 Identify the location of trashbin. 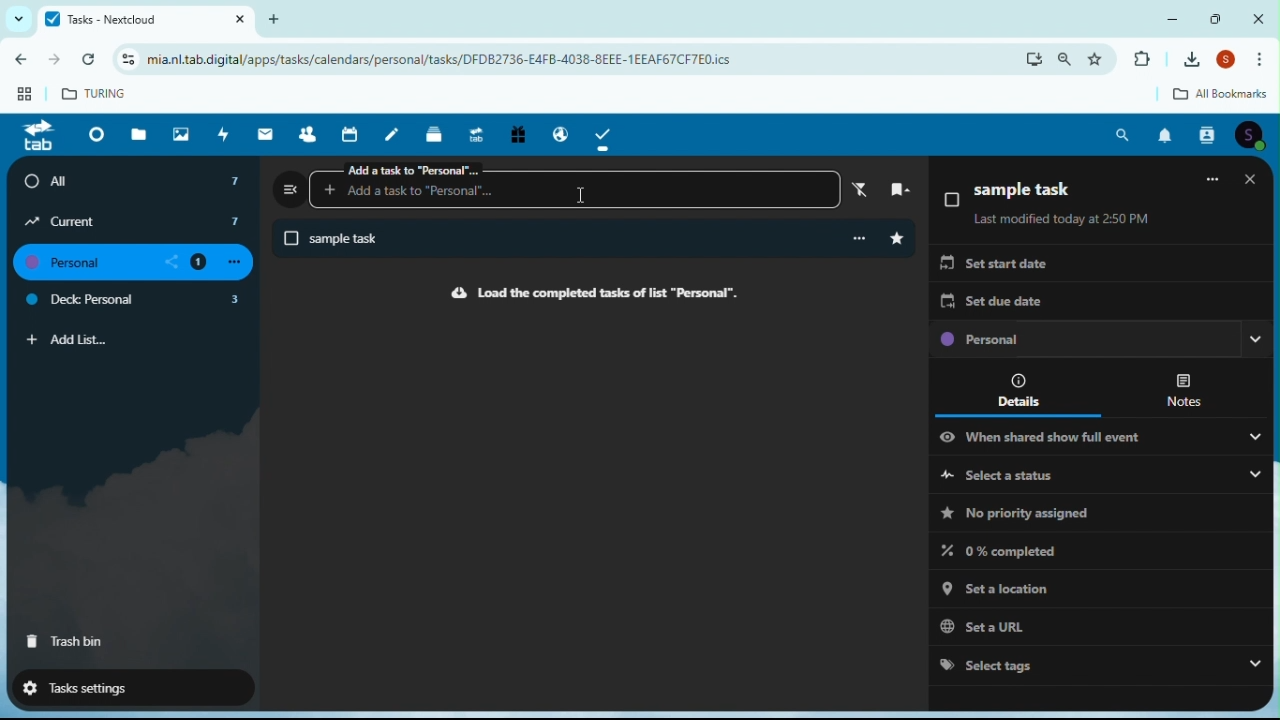
(66, 642).